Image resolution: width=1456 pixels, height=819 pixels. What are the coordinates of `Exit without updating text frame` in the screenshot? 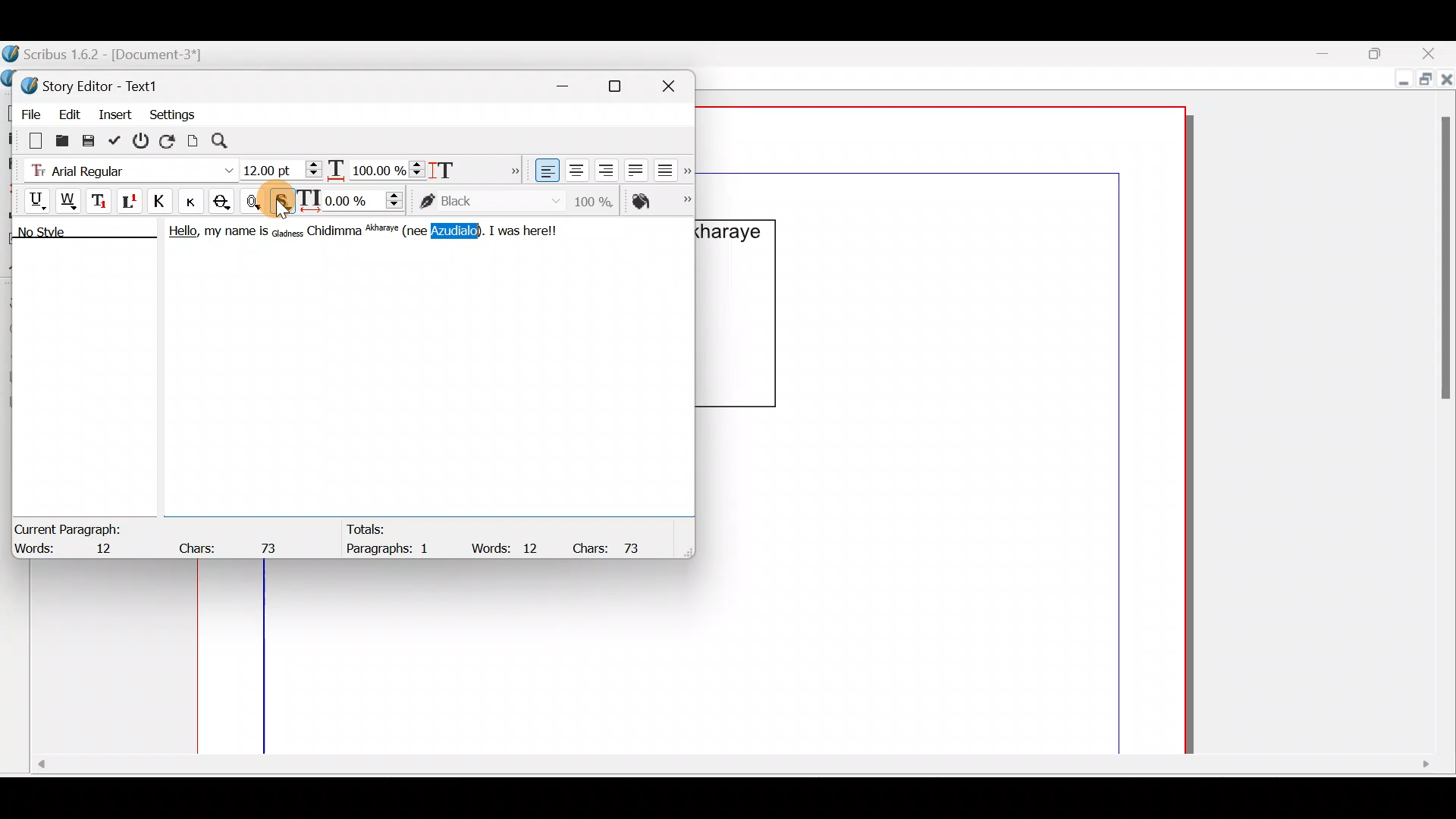 It's located at (143, 140).